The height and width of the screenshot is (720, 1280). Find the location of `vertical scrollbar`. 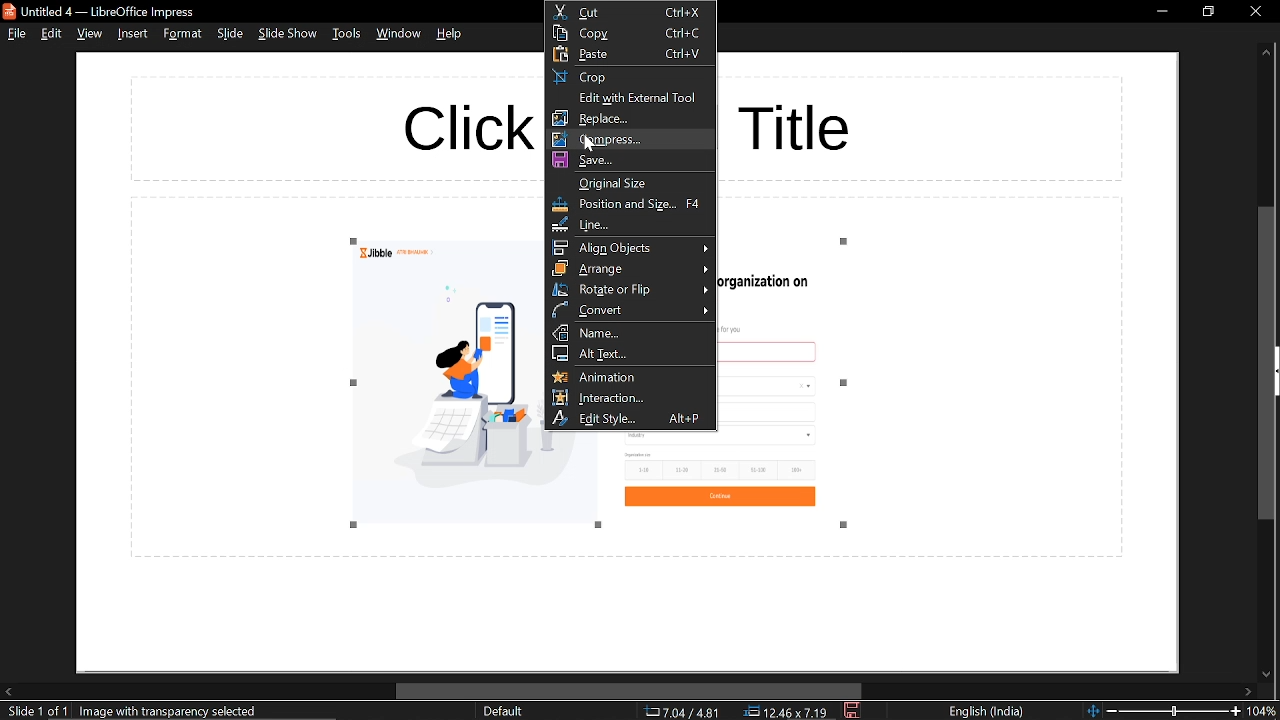

vertical scrollbar is located at coordinates (1267, 363).